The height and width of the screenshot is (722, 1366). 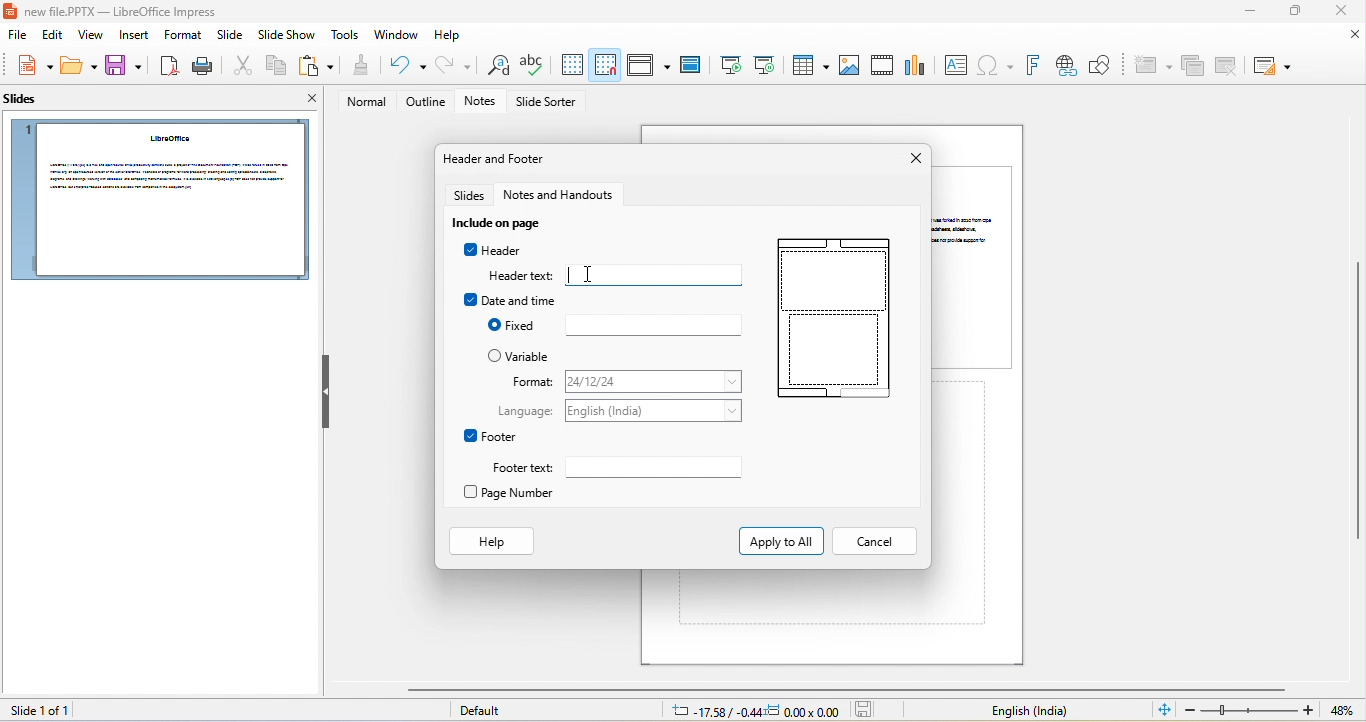 What do you see at coordinates (50, 37) in the screenshot?
I see `edit` at bounding box center [50, 37].